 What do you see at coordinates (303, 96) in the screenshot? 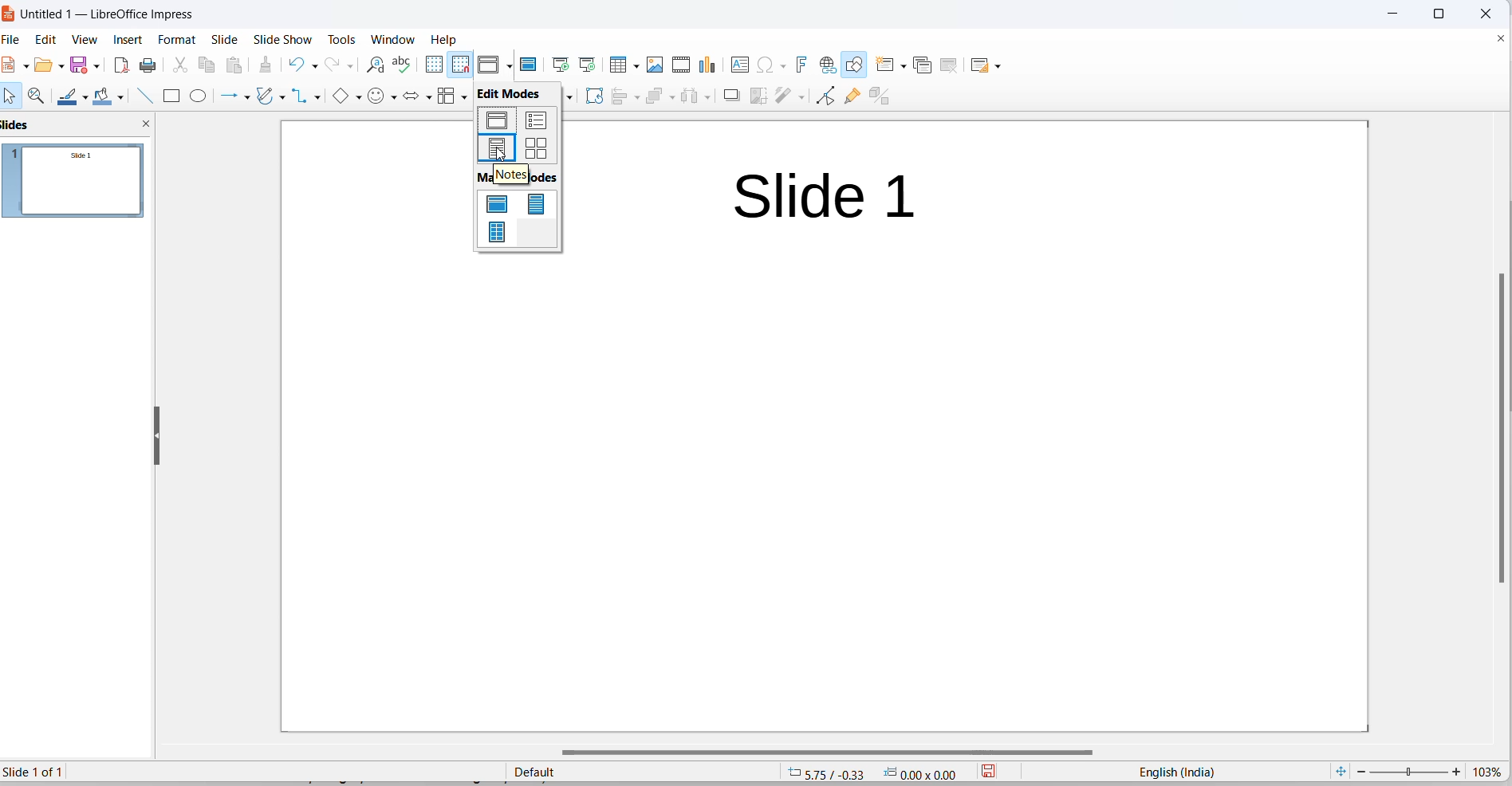
I see `connectors` at bounding box center [303, 96].